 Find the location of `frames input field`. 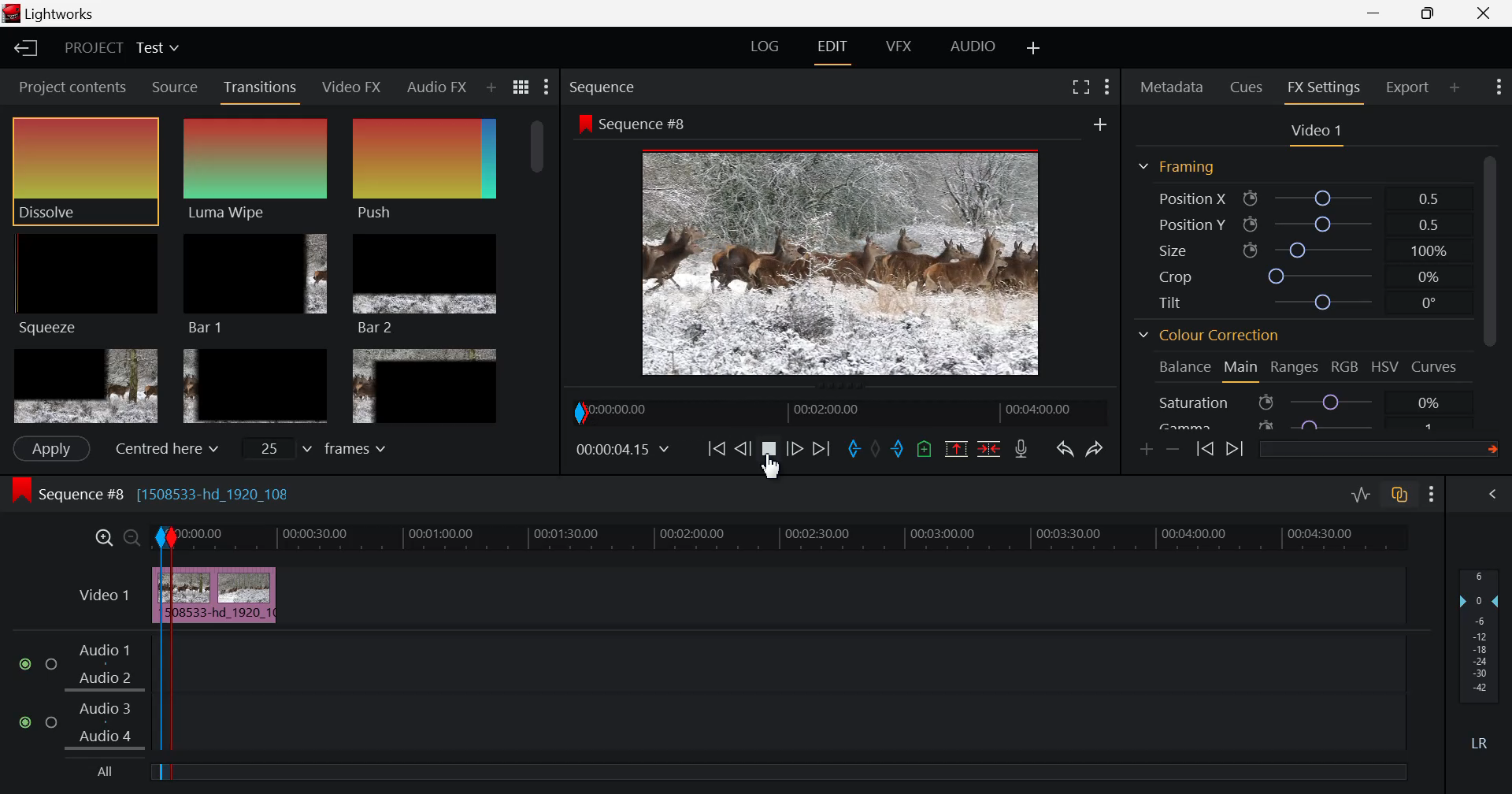

frames input field is located at coordinates (329, 447).